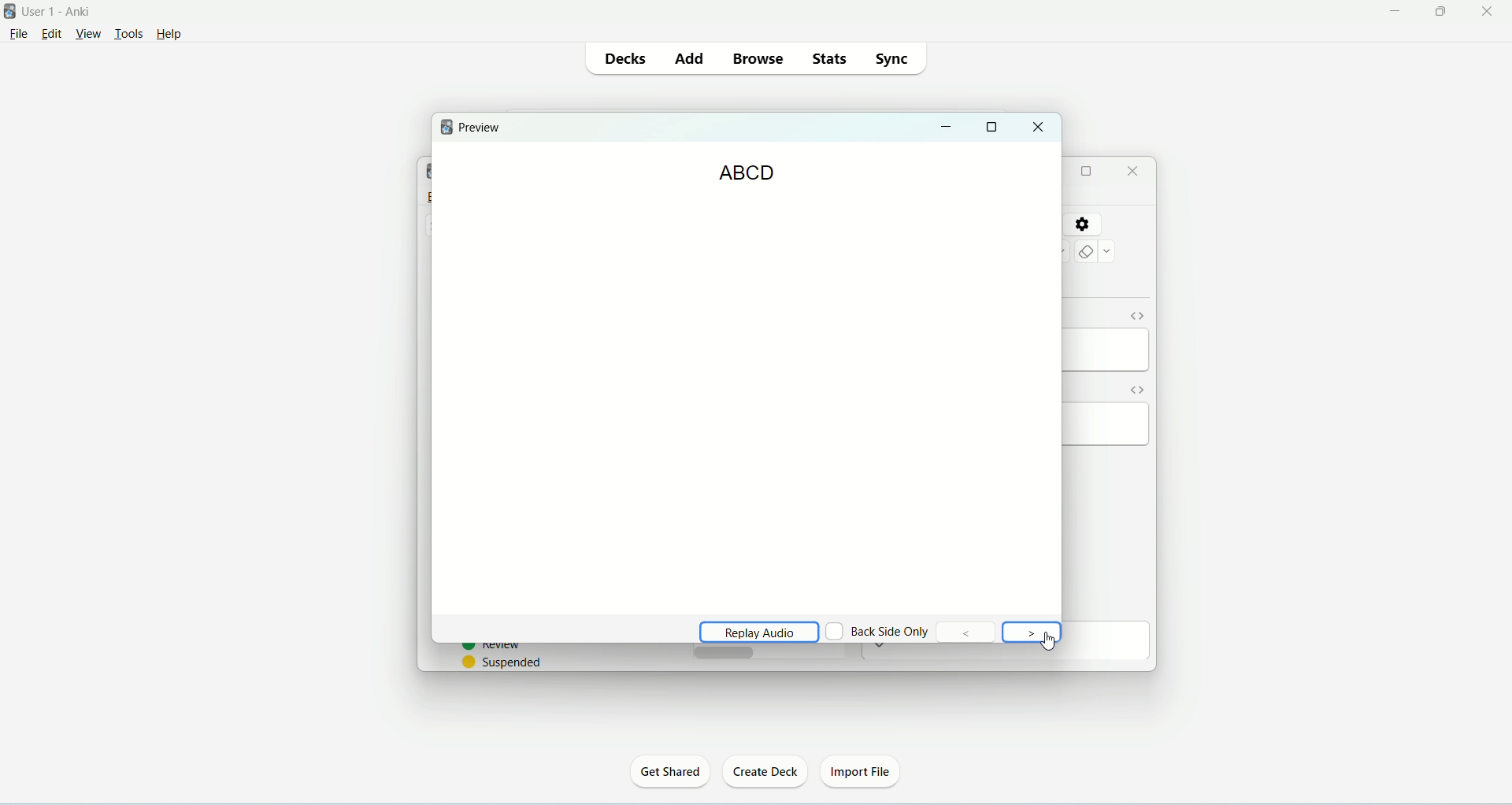  I want to click on add, so click(692, 58).